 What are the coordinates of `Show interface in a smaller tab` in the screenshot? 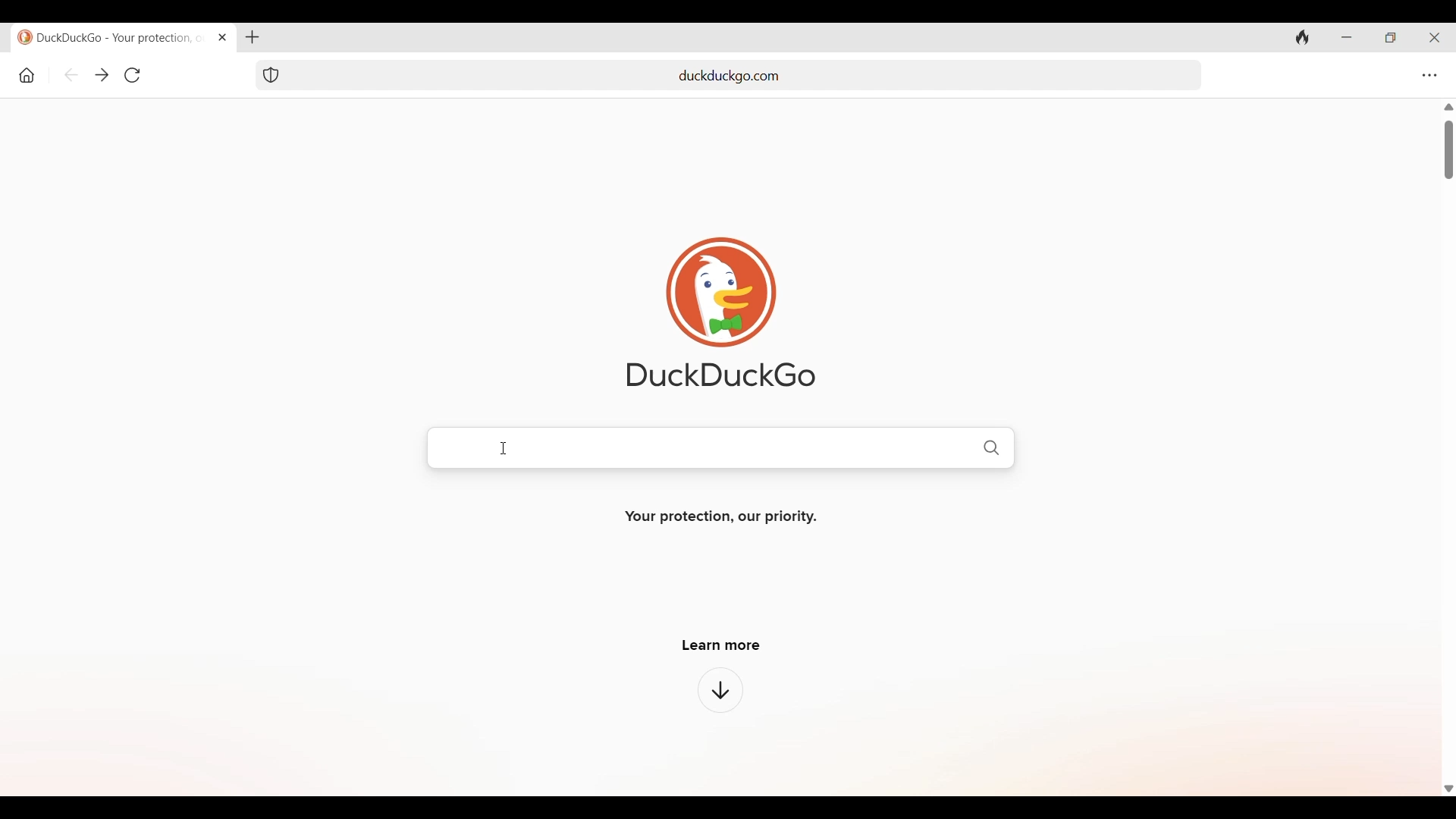 It's located at (1391, 38).